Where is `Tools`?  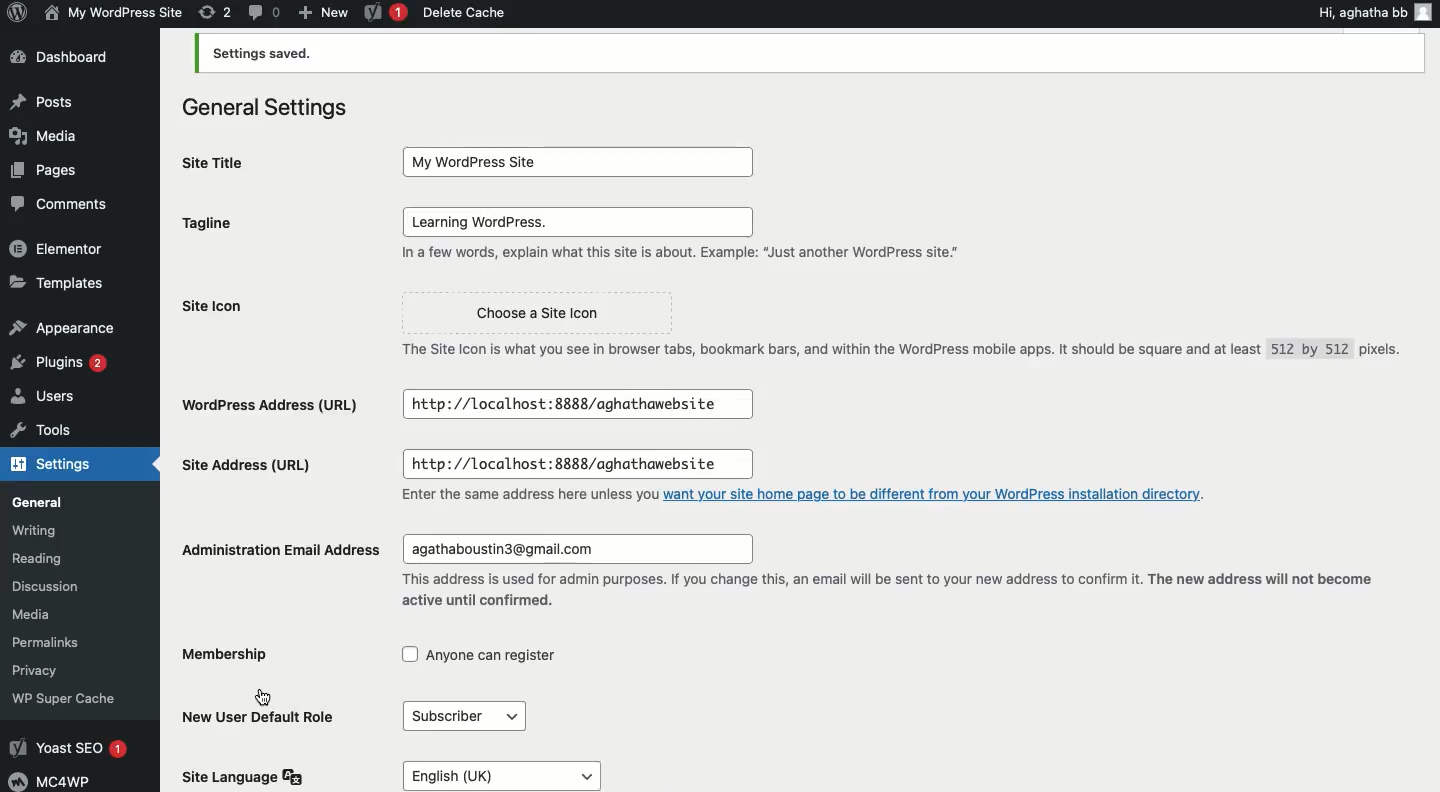 Tools is located at coordinates (61, 434).